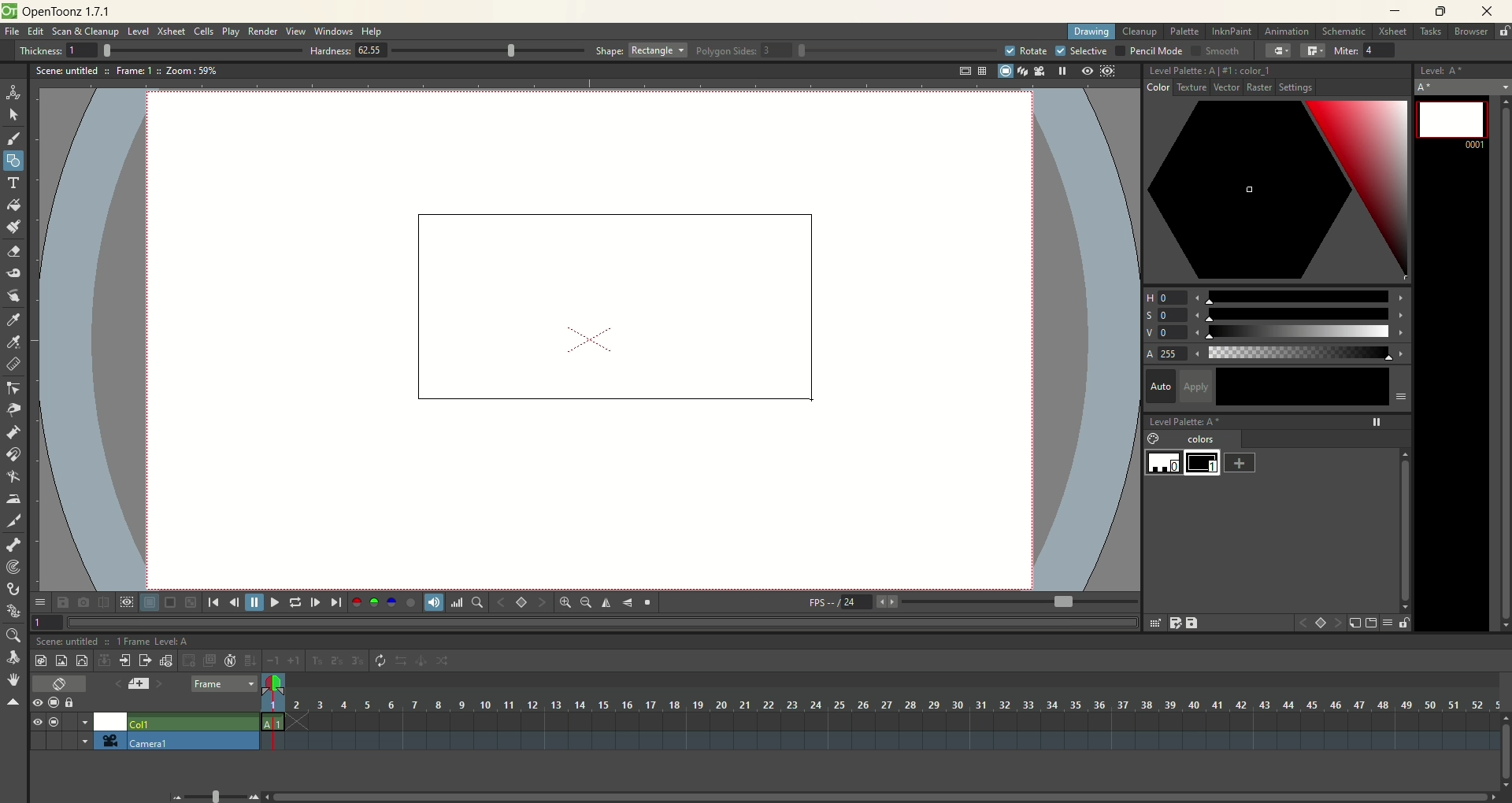 This screenshot has height=803, width=1512. What do you see at coordinates (16, 520) in the screenshot?
I see `cutter` at bounding box center [16, 520].